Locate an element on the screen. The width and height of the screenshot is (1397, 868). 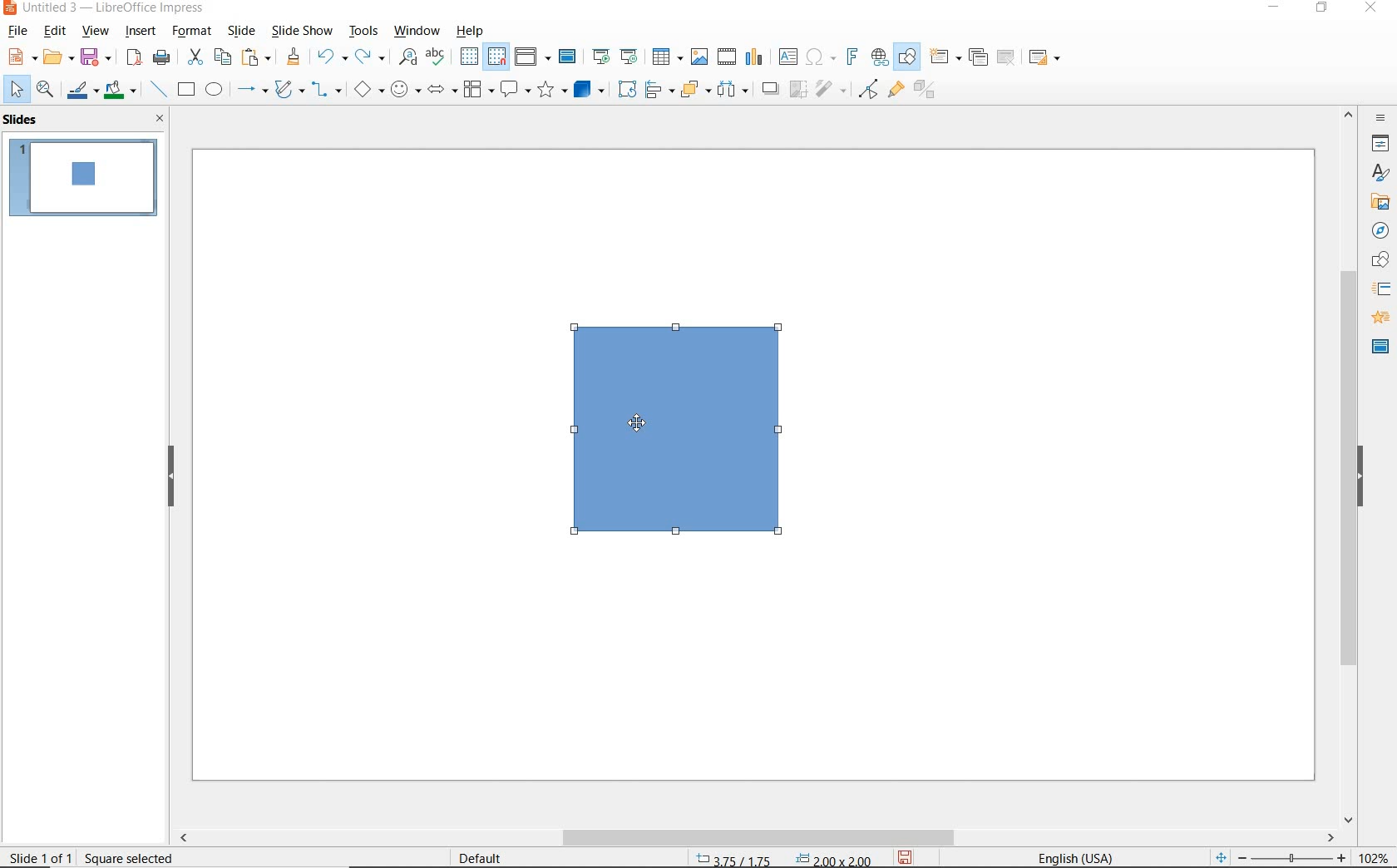
scrollbar is located at coordinates (1349, 466).